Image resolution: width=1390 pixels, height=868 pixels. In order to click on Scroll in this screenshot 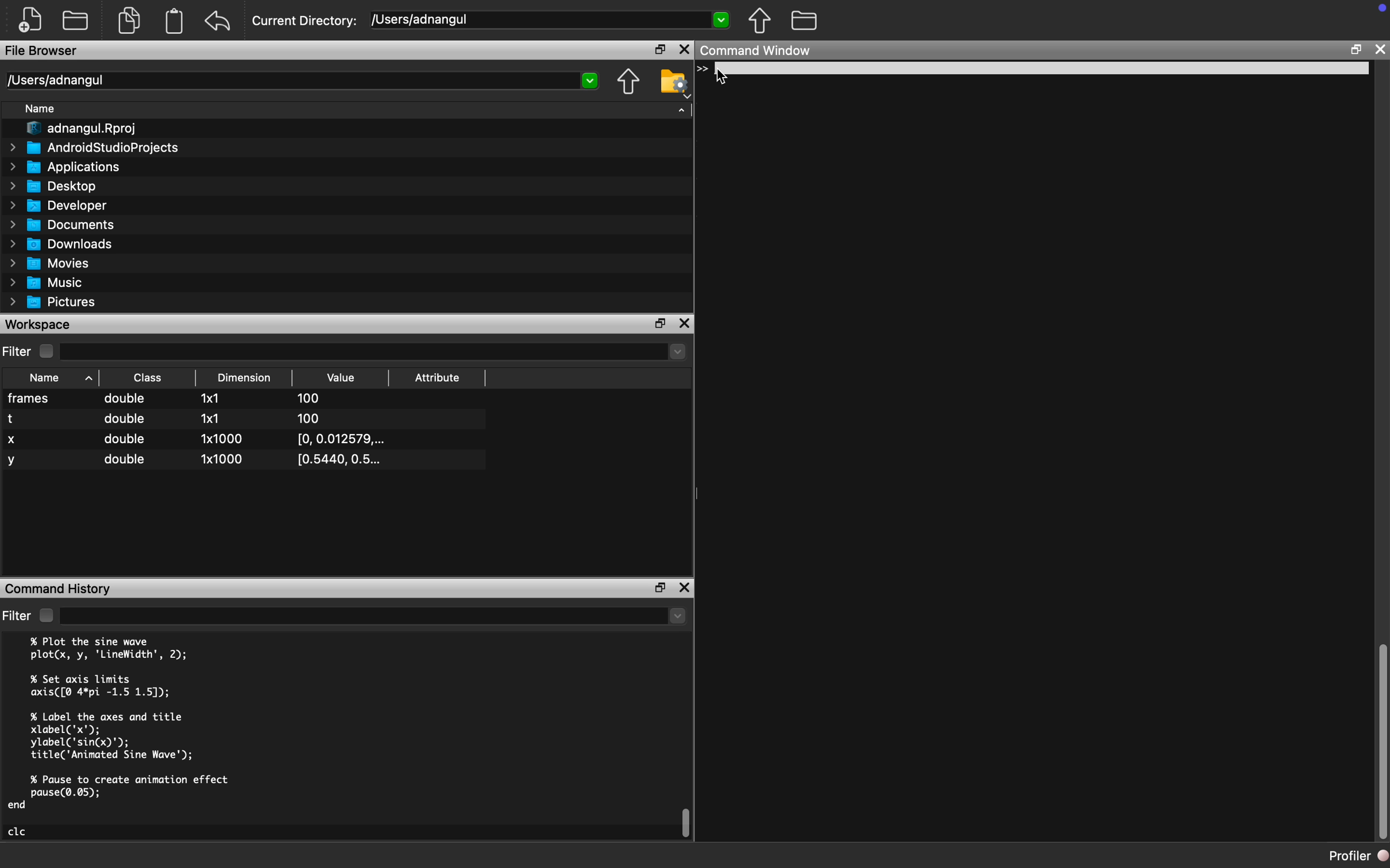, I will do `click(1381, 738)`.